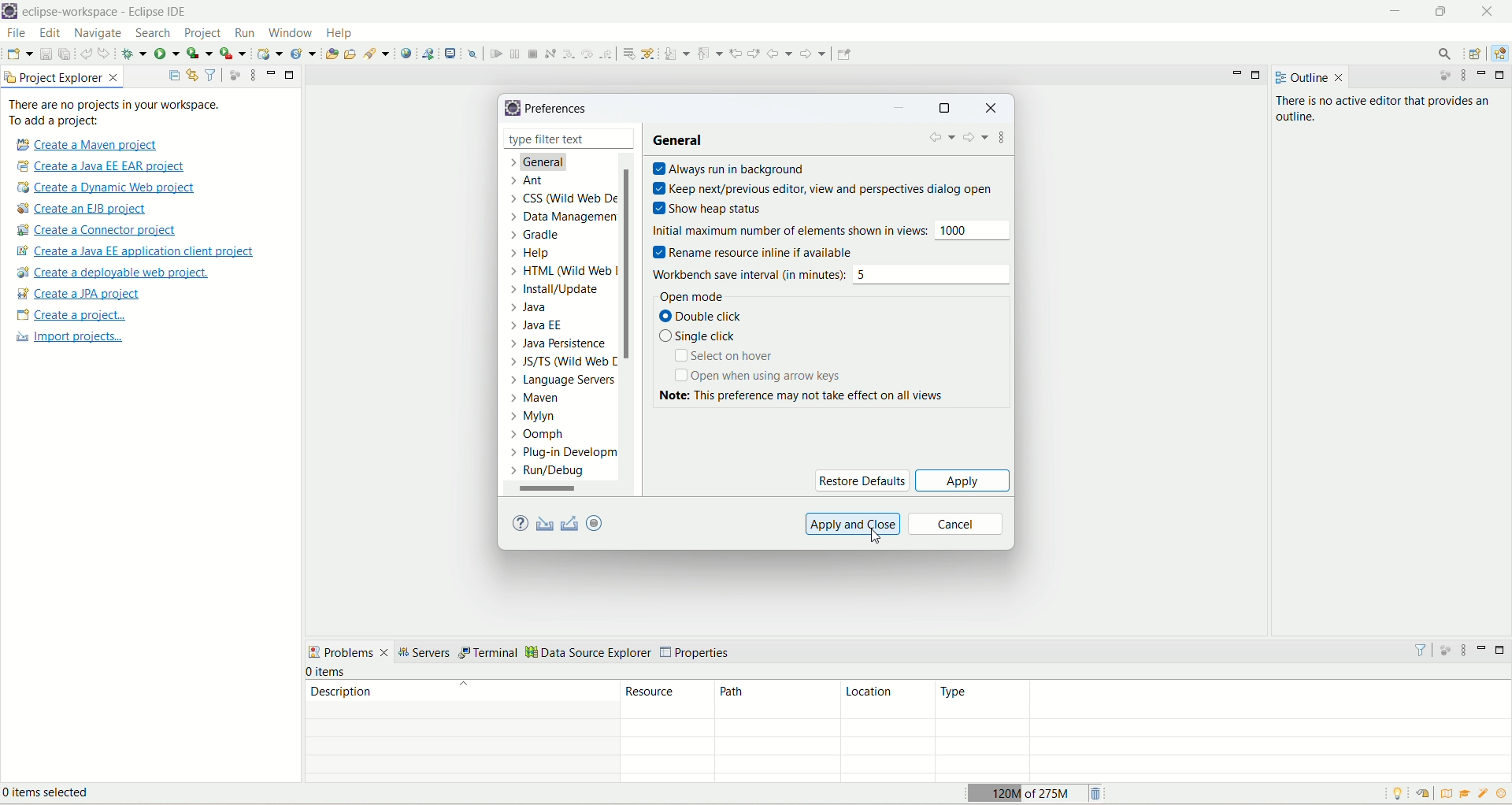 This screenshot has height=805, width=1512. What do you see at coordinates (668, 699) in the screenshot?
I see `resources` at bounding box center [668, 699].